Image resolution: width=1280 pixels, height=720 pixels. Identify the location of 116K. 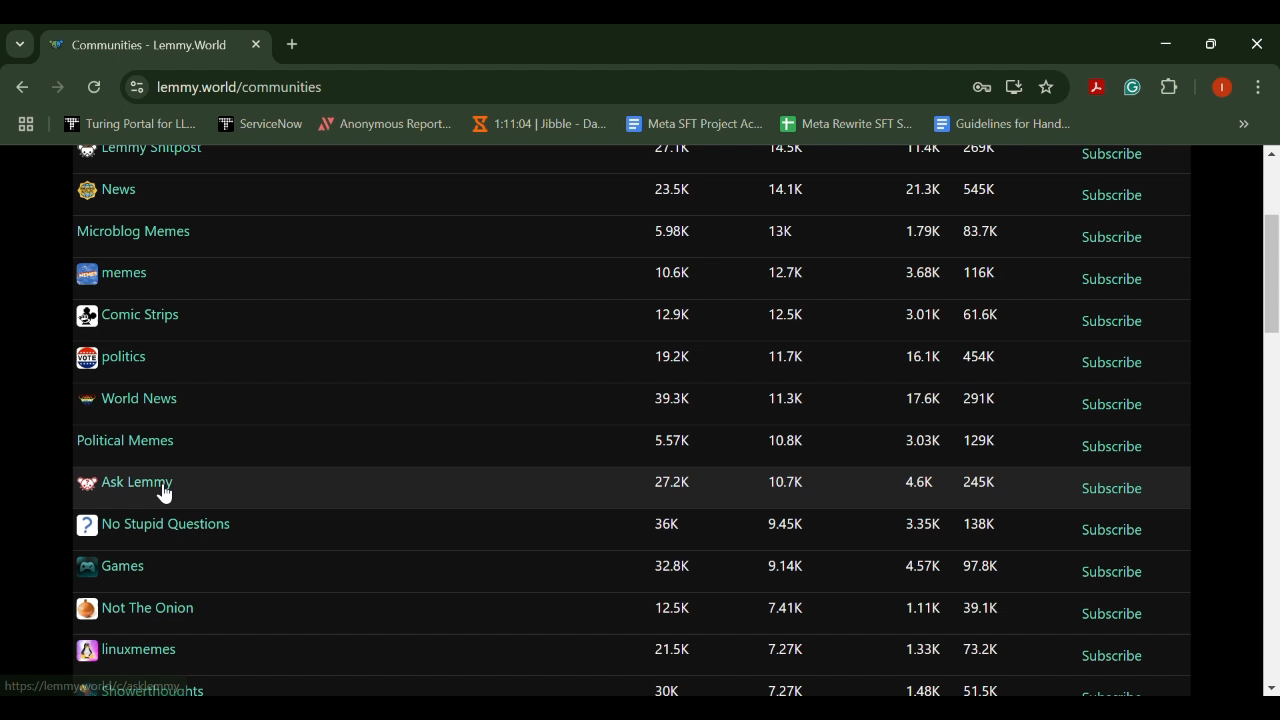
(978, 274).